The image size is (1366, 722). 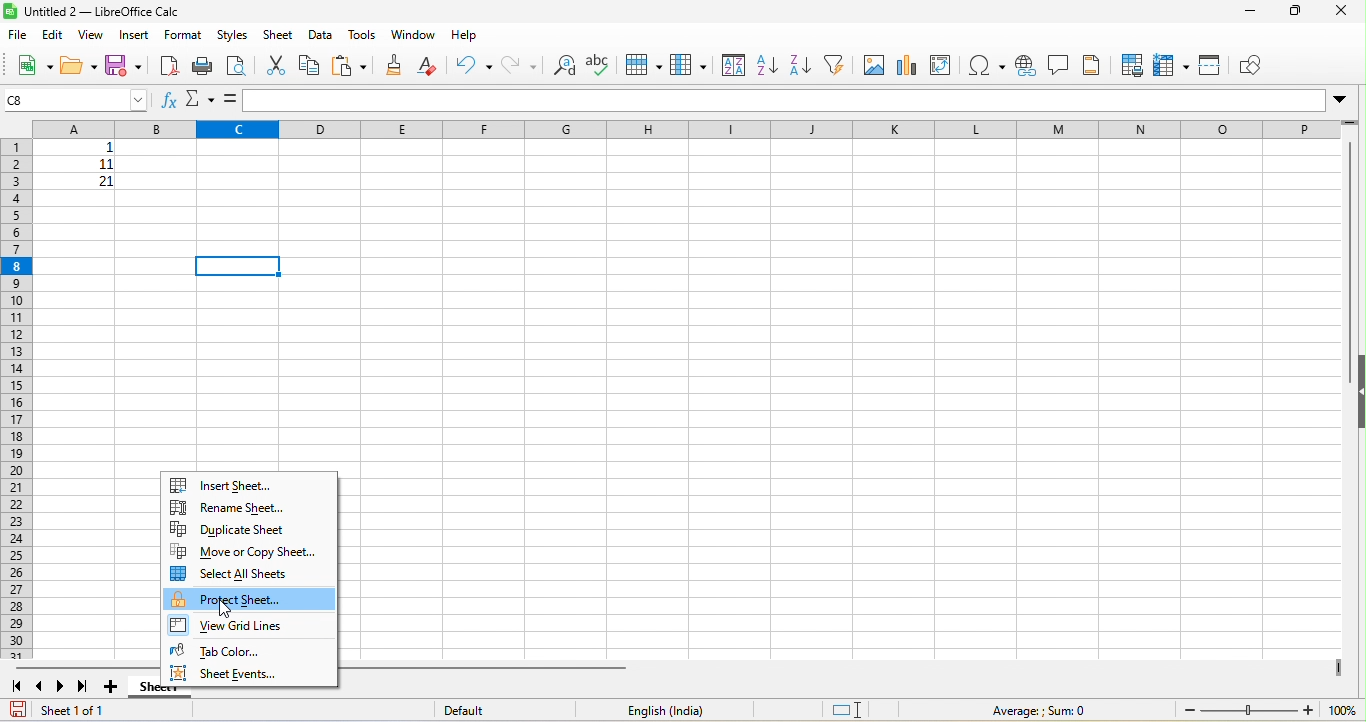 What do you see at coordinates (229, 485) in the screenshot?
I see `insert sheet` at bounding box center [229, 485].